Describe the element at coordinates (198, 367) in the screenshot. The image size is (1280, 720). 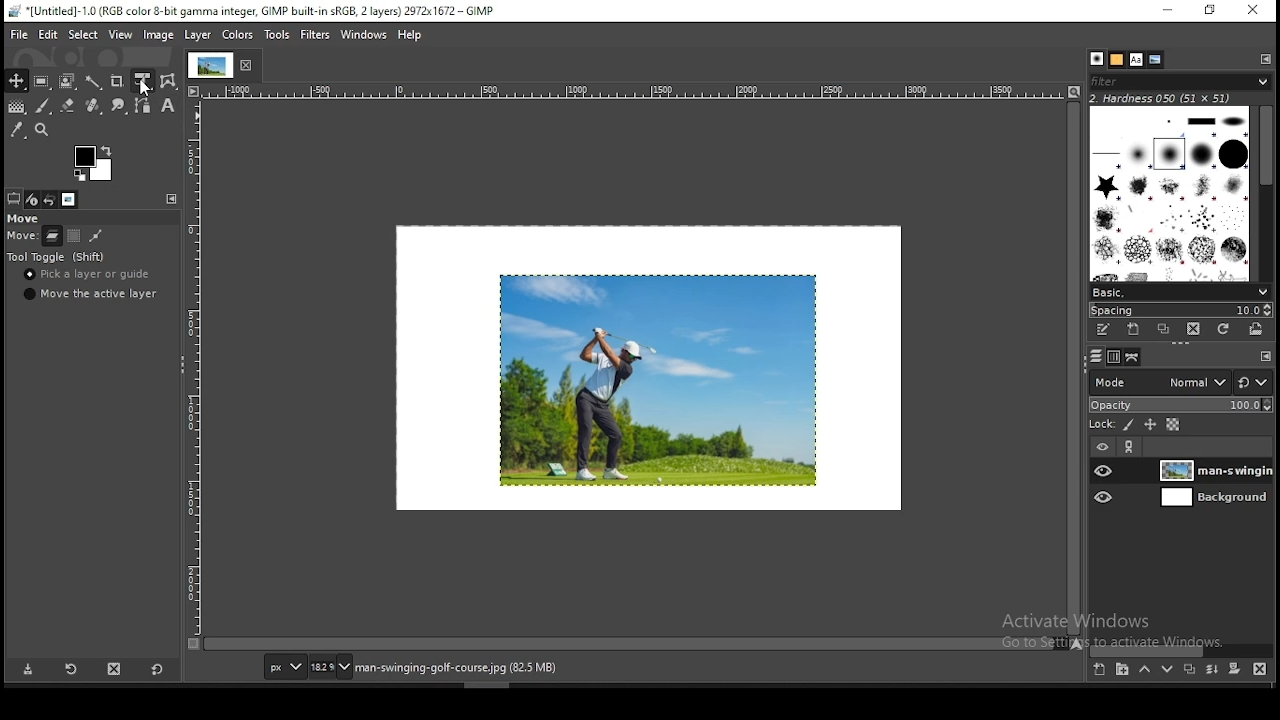
I see `vertical scale` at that location.